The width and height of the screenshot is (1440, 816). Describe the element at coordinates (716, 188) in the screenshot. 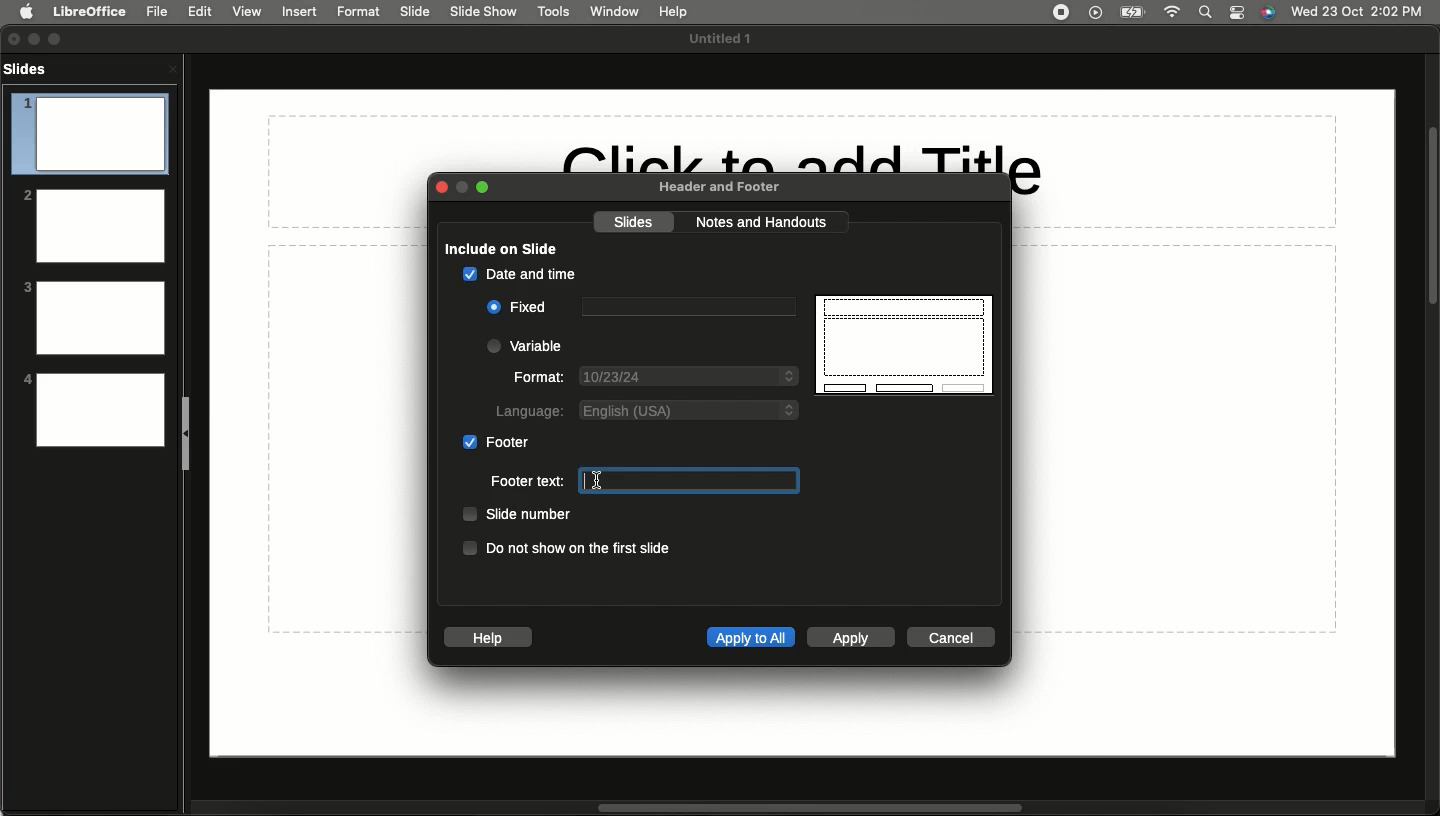

I see `Header and footer` at that location.